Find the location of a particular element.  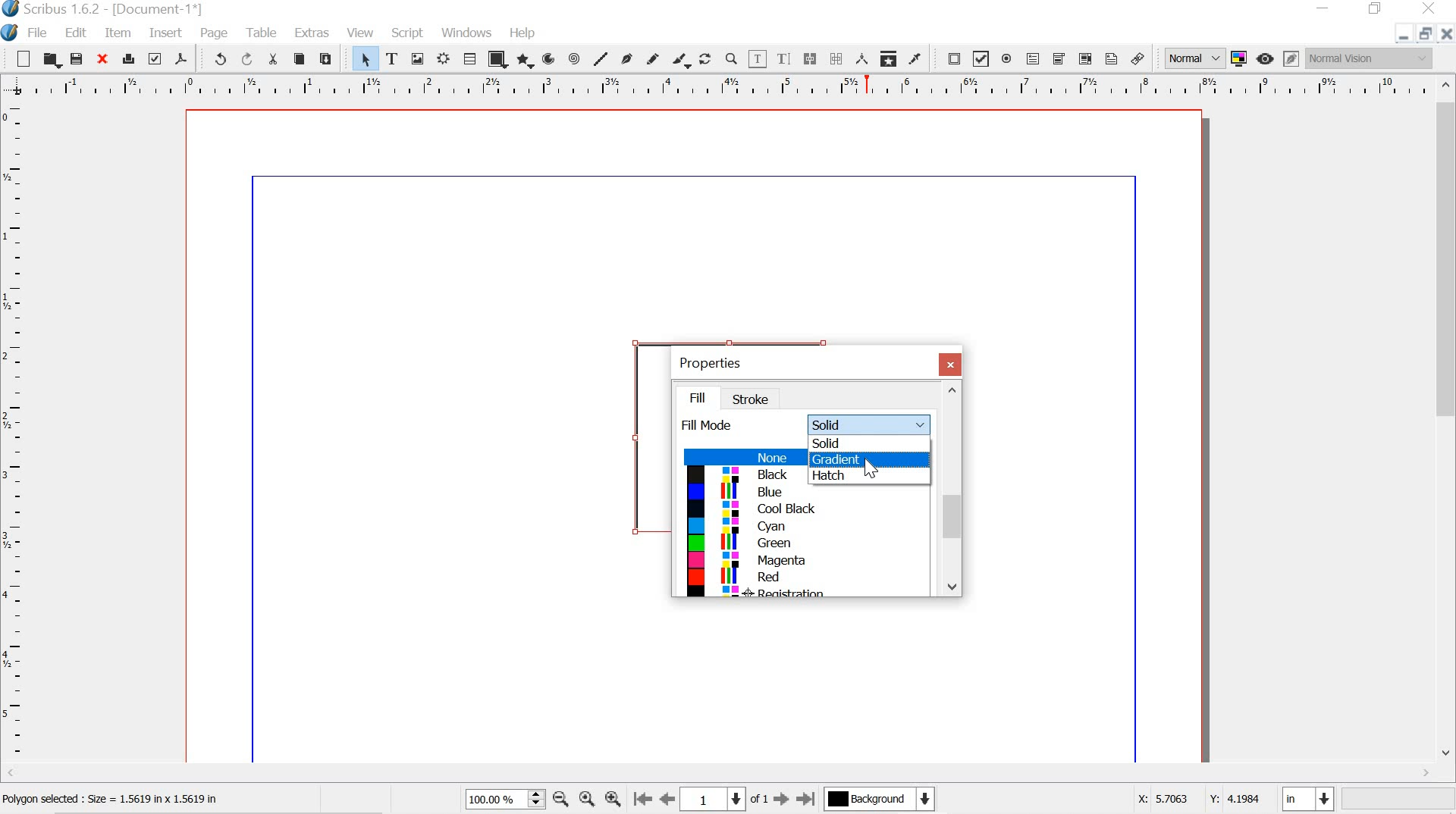

go to last page is located at coordinates (806, 800).